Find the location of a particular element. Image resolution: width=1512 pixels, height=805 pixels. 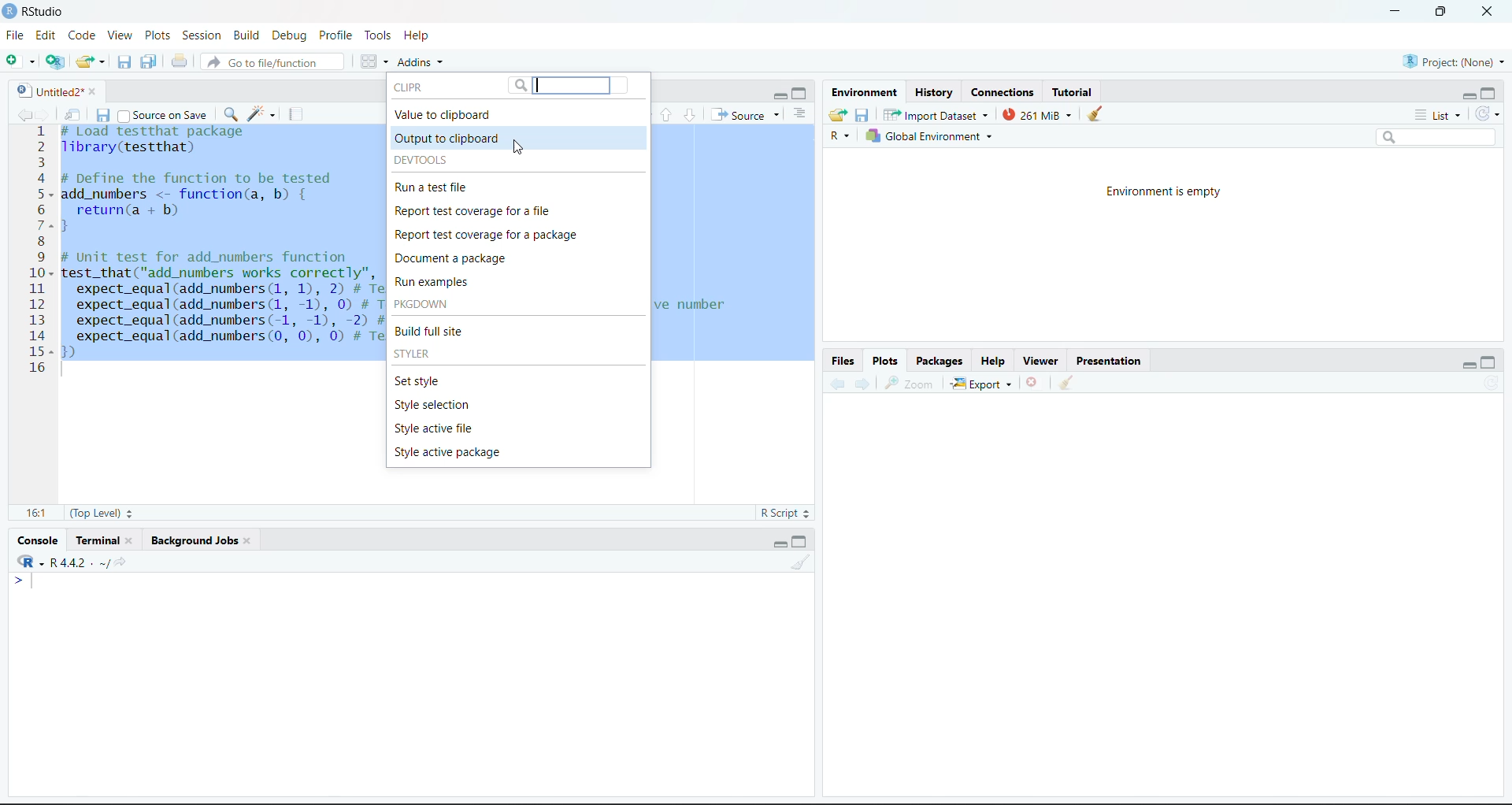

Document a package is located at coordinates (450, 258).